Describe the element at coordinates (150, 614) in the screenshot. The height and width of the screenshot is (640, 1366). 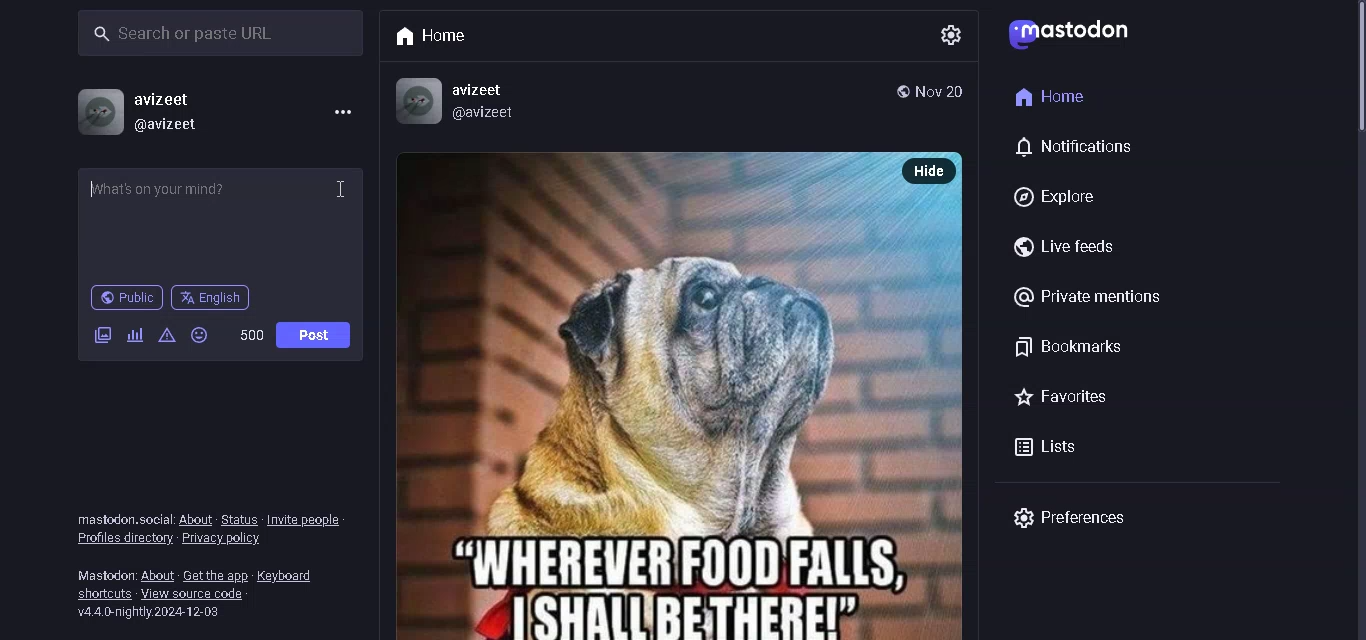
I see `version` at that location.